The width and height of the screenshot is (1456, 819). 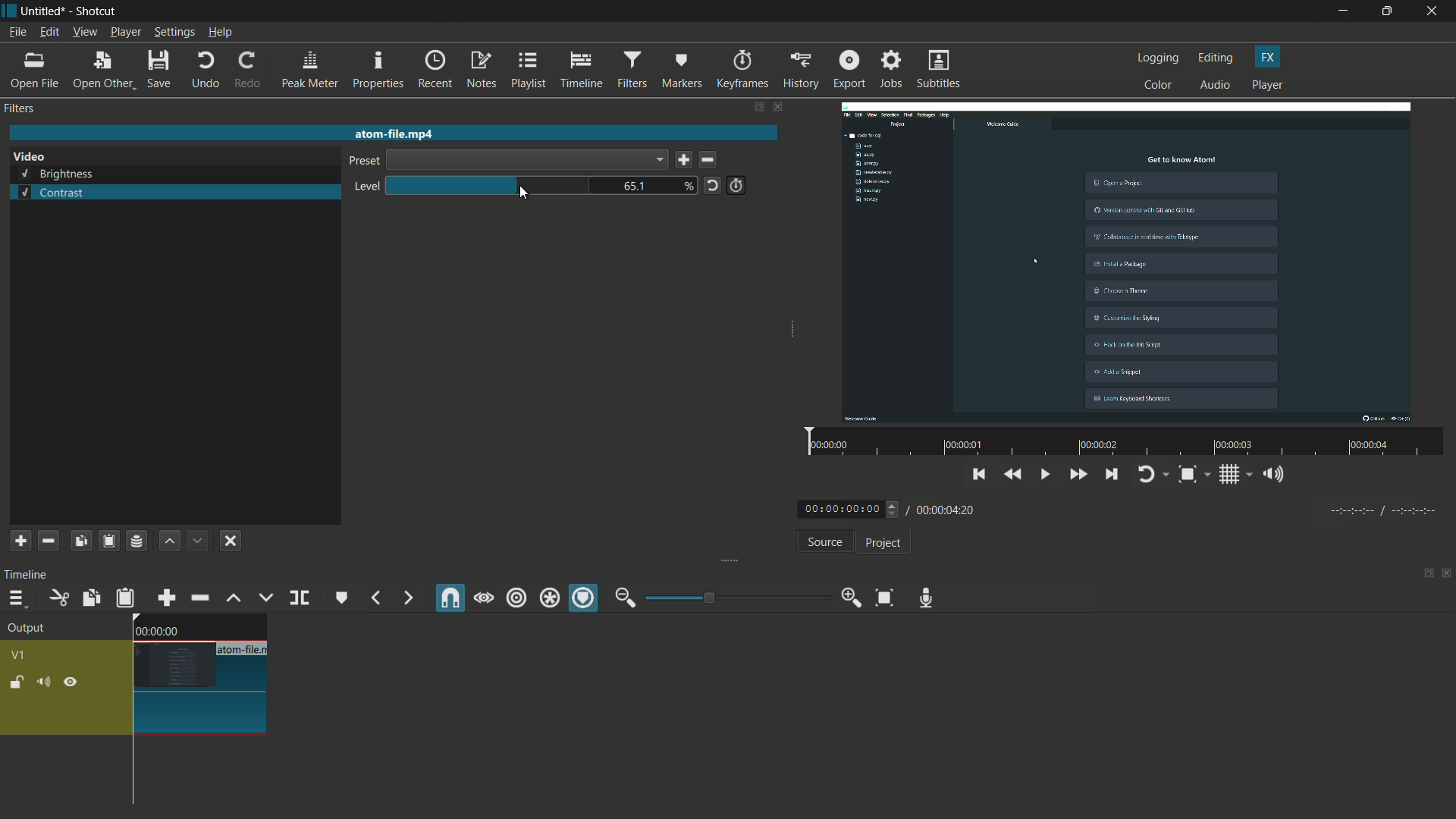 I want to click on cut, so click(x=58, y=598).